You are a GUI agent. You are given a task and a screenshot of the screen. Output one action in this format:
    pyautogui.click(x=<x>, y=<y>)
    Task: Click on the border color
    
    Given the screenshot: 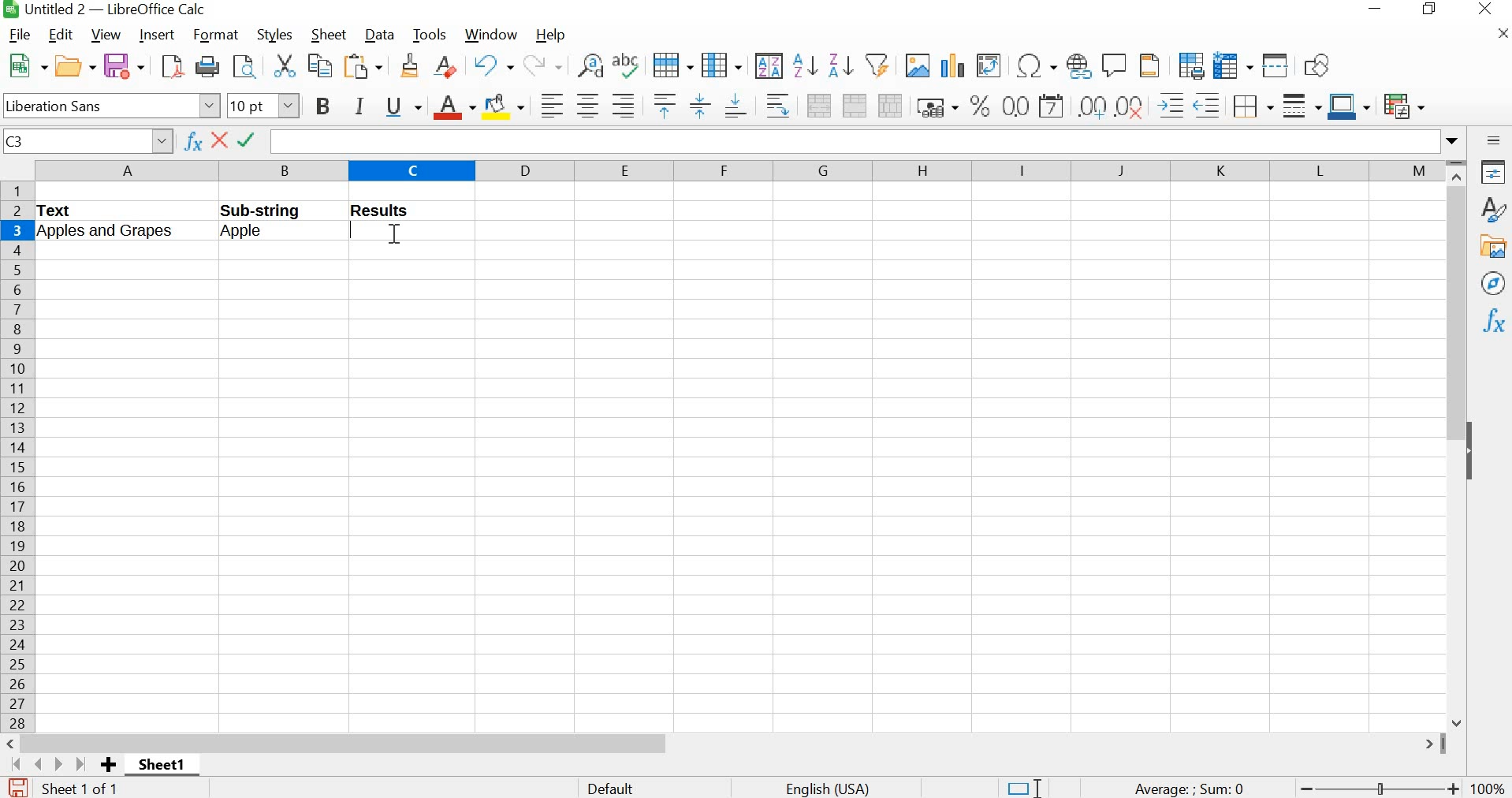 What is the action you would take?
    pyautogui.click(x=1349, y=106)
    